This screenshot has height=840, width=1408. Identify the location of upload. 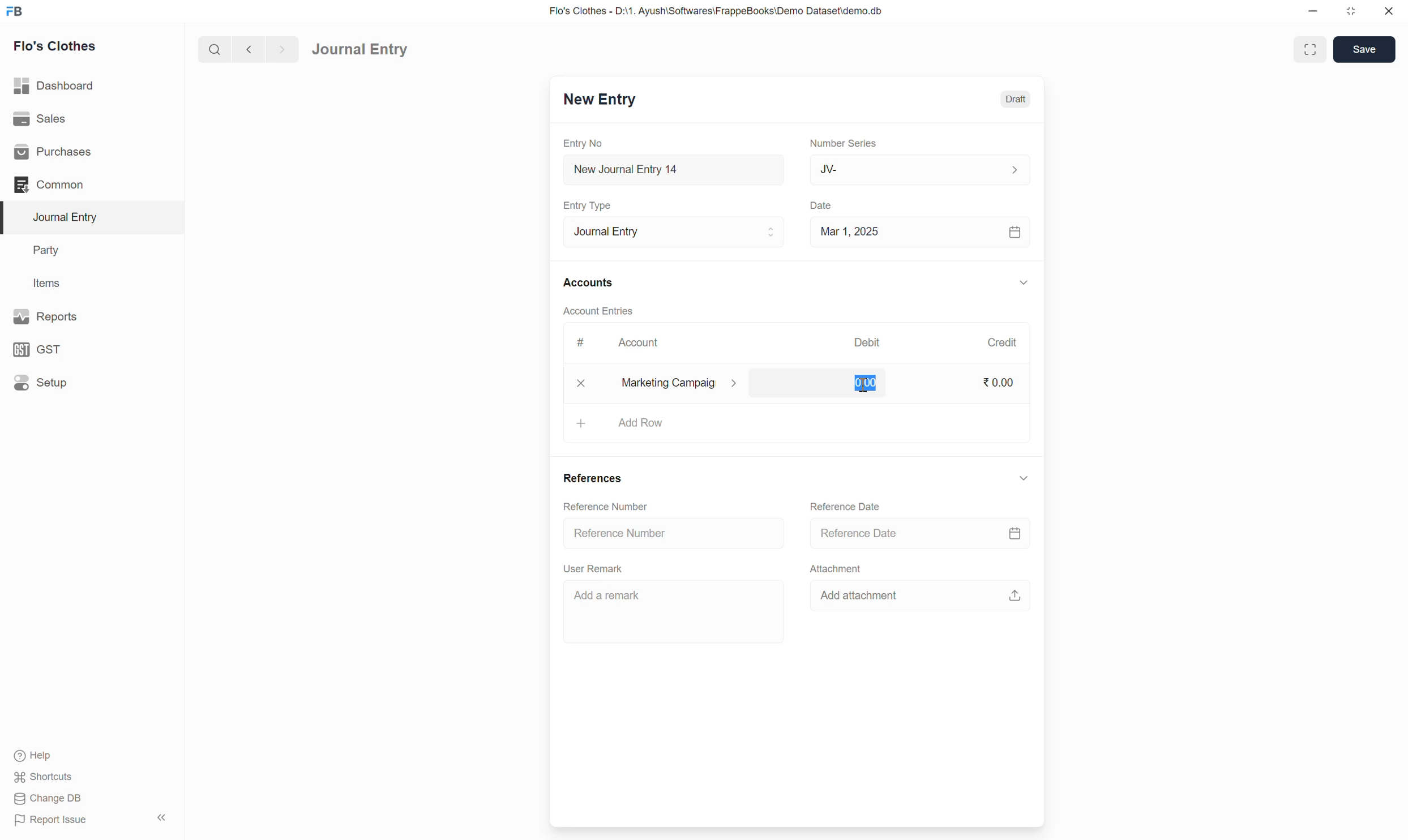
(1016, 596).